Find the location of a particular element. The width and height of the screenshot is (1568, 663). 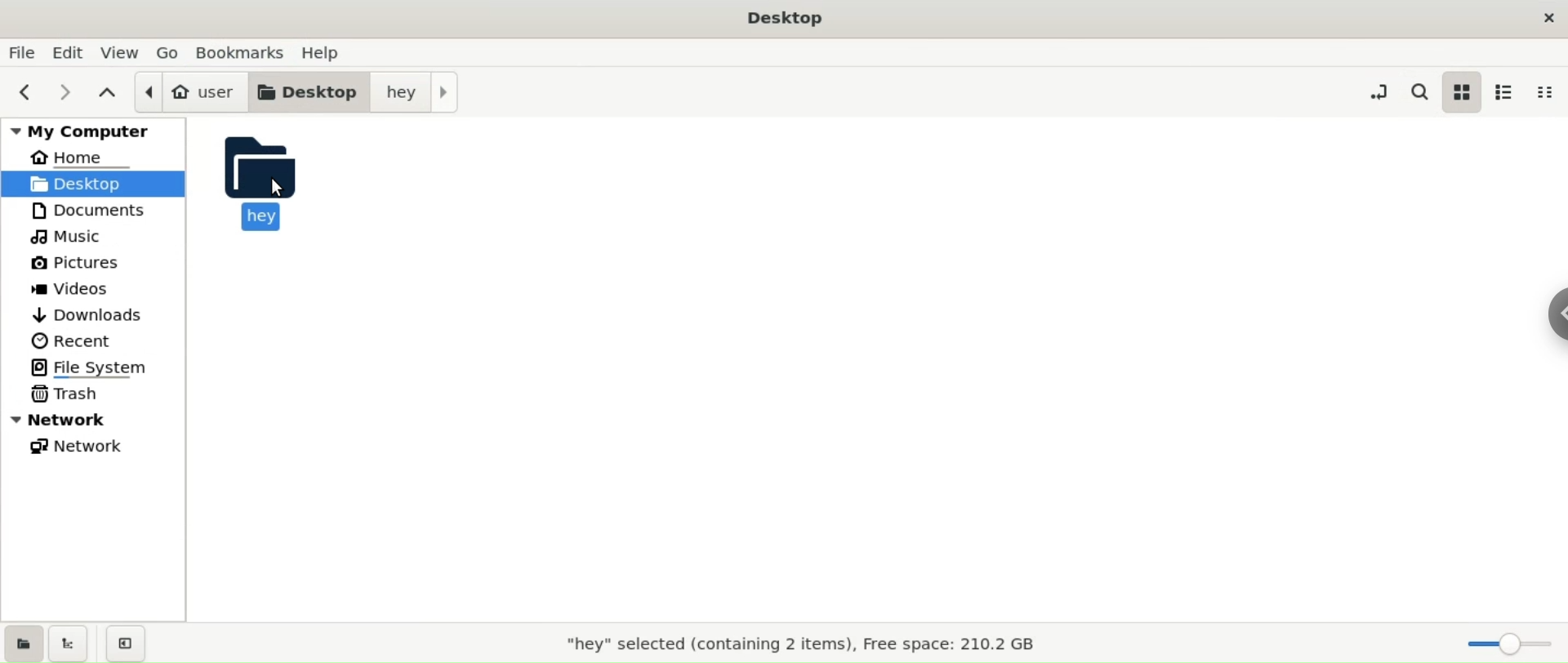

user is located at coordinates (189, 90).